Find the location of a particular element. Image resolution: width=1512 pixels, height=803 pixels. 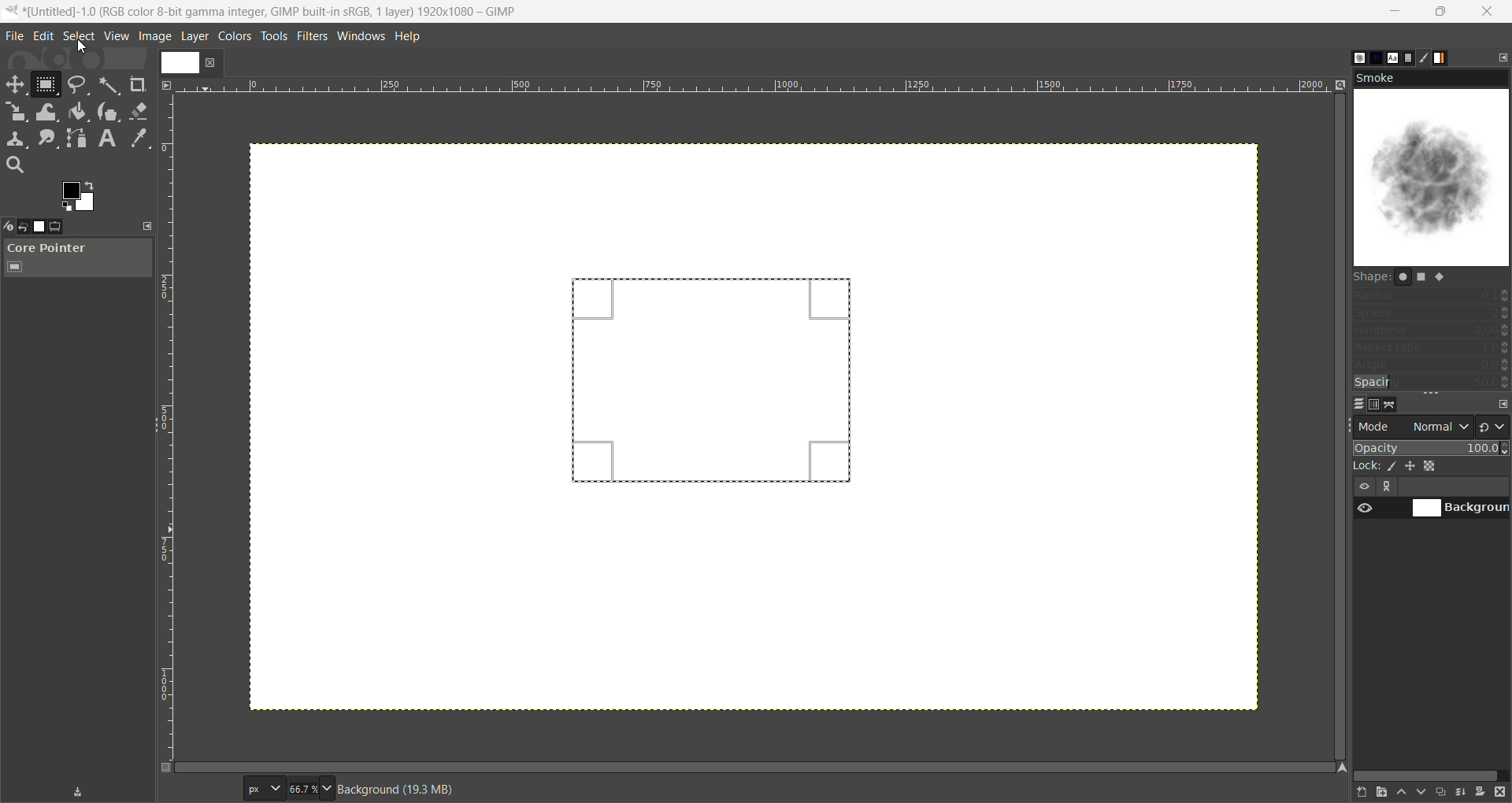

add a mask is located at coordinates (1479, 794).